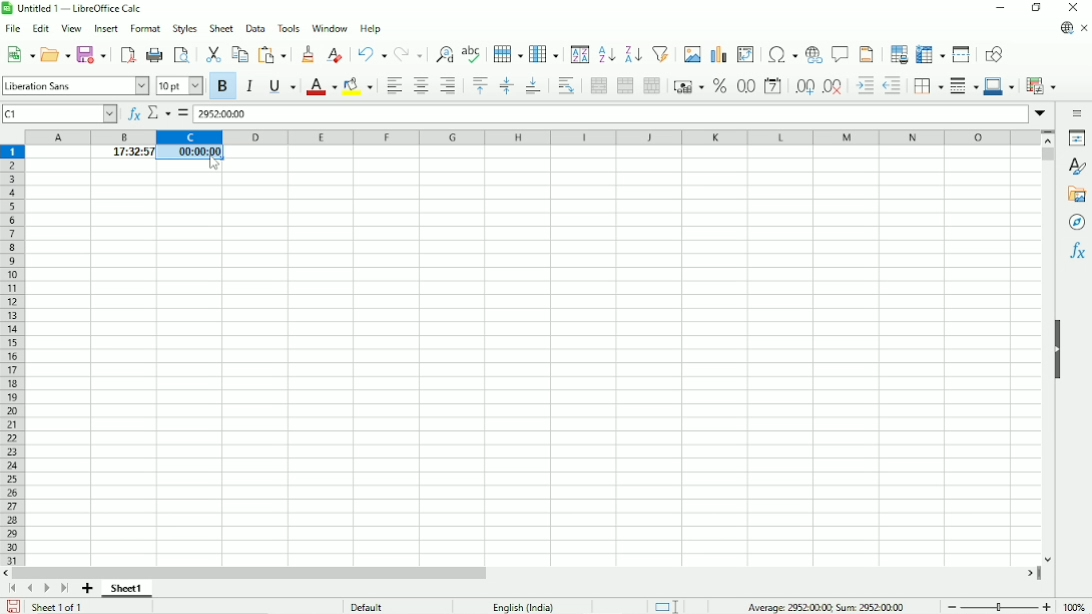 The image size is (1092, 614). I want to click on Scroll to first sheet, so click(15, 590).